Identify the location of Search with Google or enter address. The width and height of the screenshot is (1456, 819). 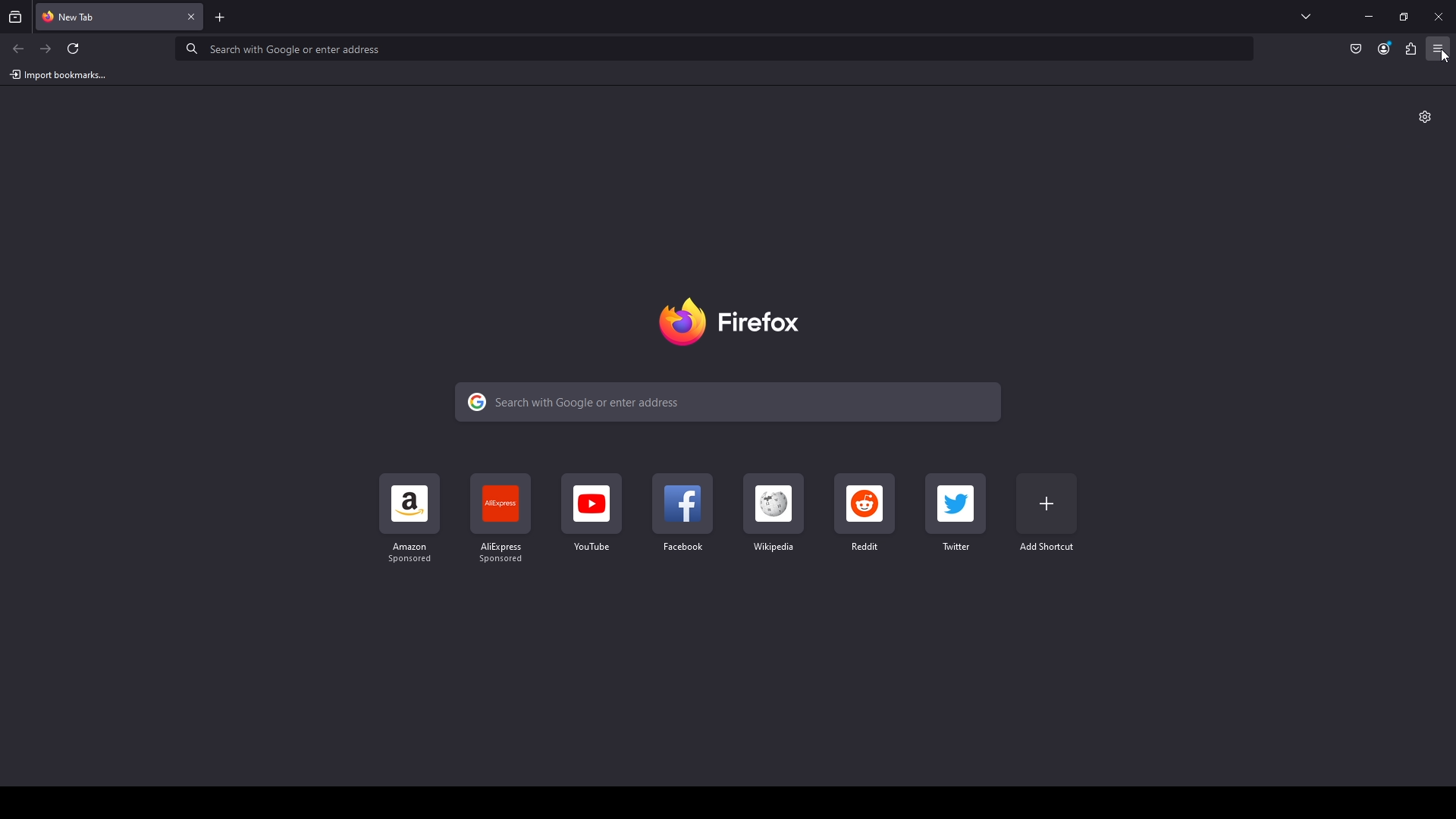
(726, 401).